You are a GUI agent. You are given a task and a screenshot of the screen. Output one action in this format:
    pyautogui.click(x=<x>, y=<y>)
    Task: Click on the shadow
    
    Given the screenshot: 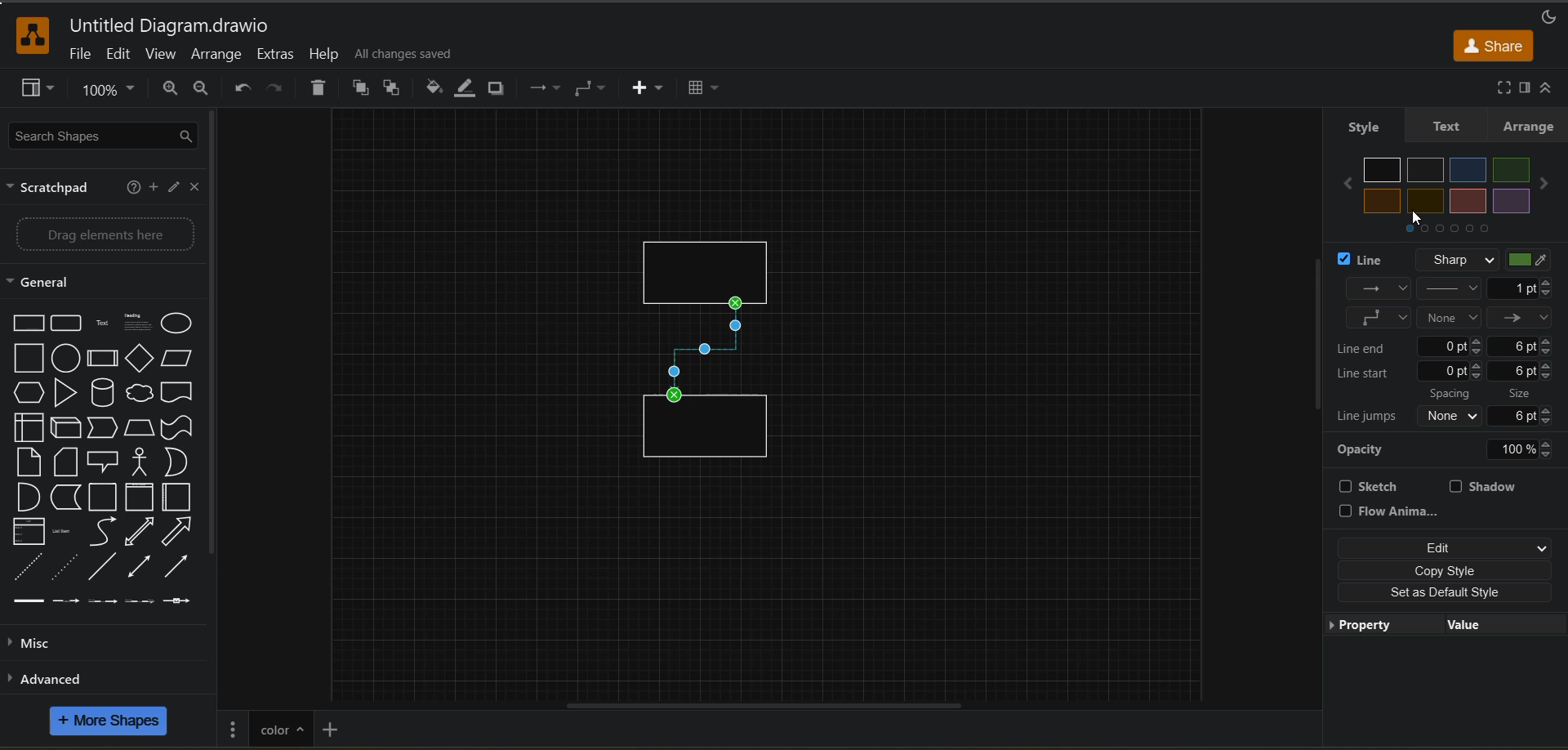 What is the action you would take?
    pyautogui.click(x=501, y=89)
    